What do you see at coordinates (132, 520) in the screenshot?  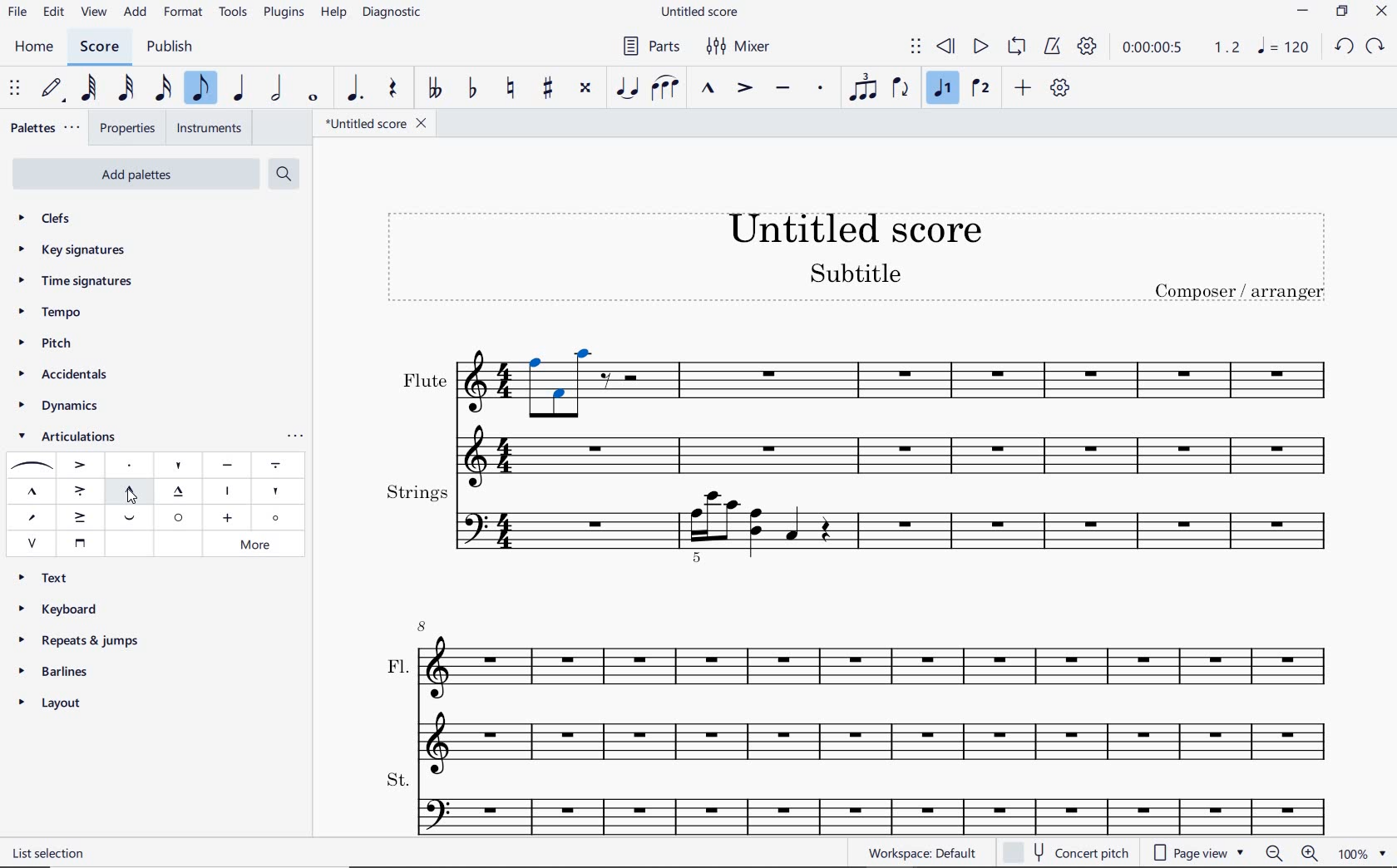 I see `UNSTRESS ABOVE` at bounding box center [132, 520].